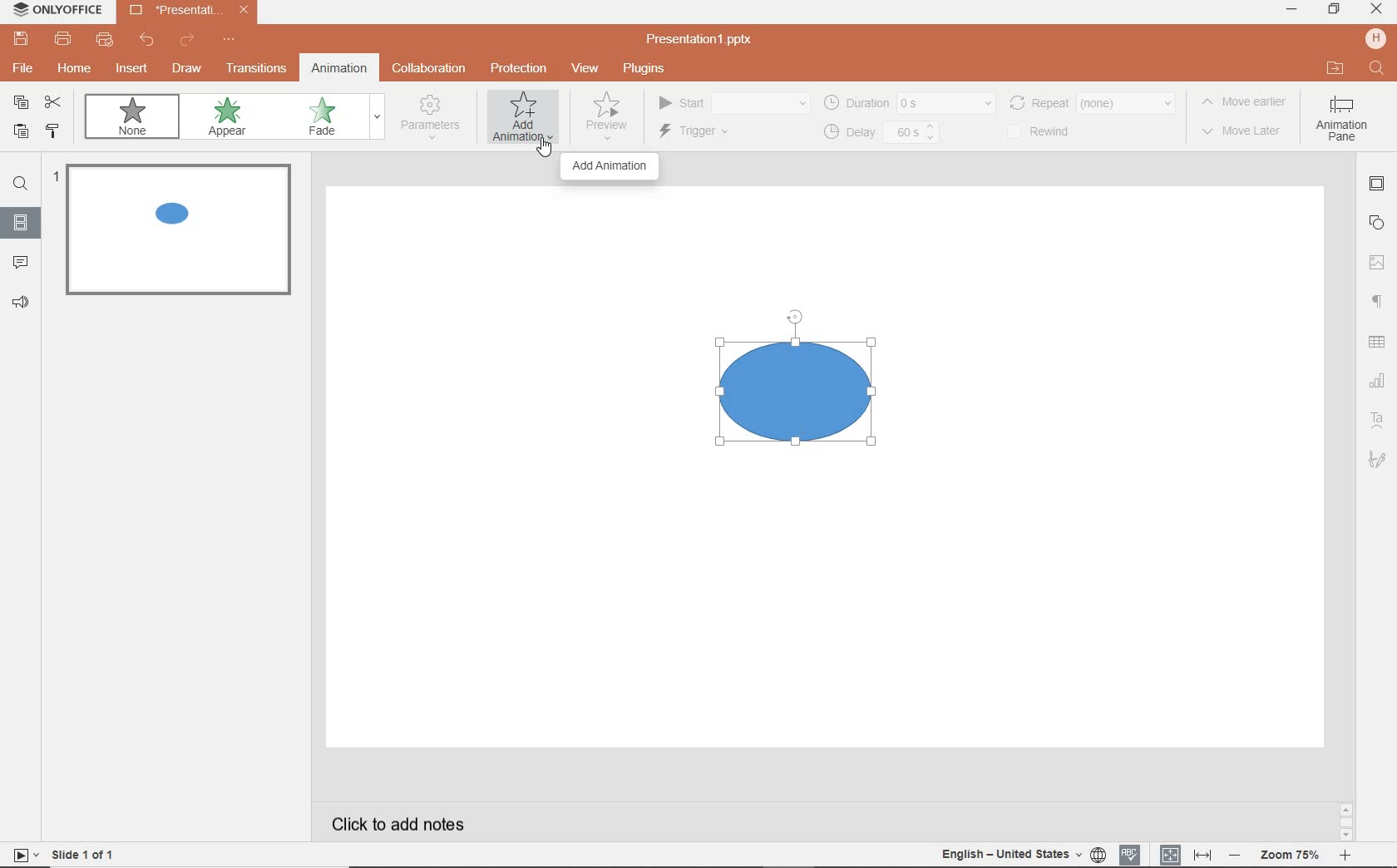 This screenshot has width=1397, height=868. Describe the element at coordinates (1375, 9) in the screenshot. I see `CLOSE` at that location.